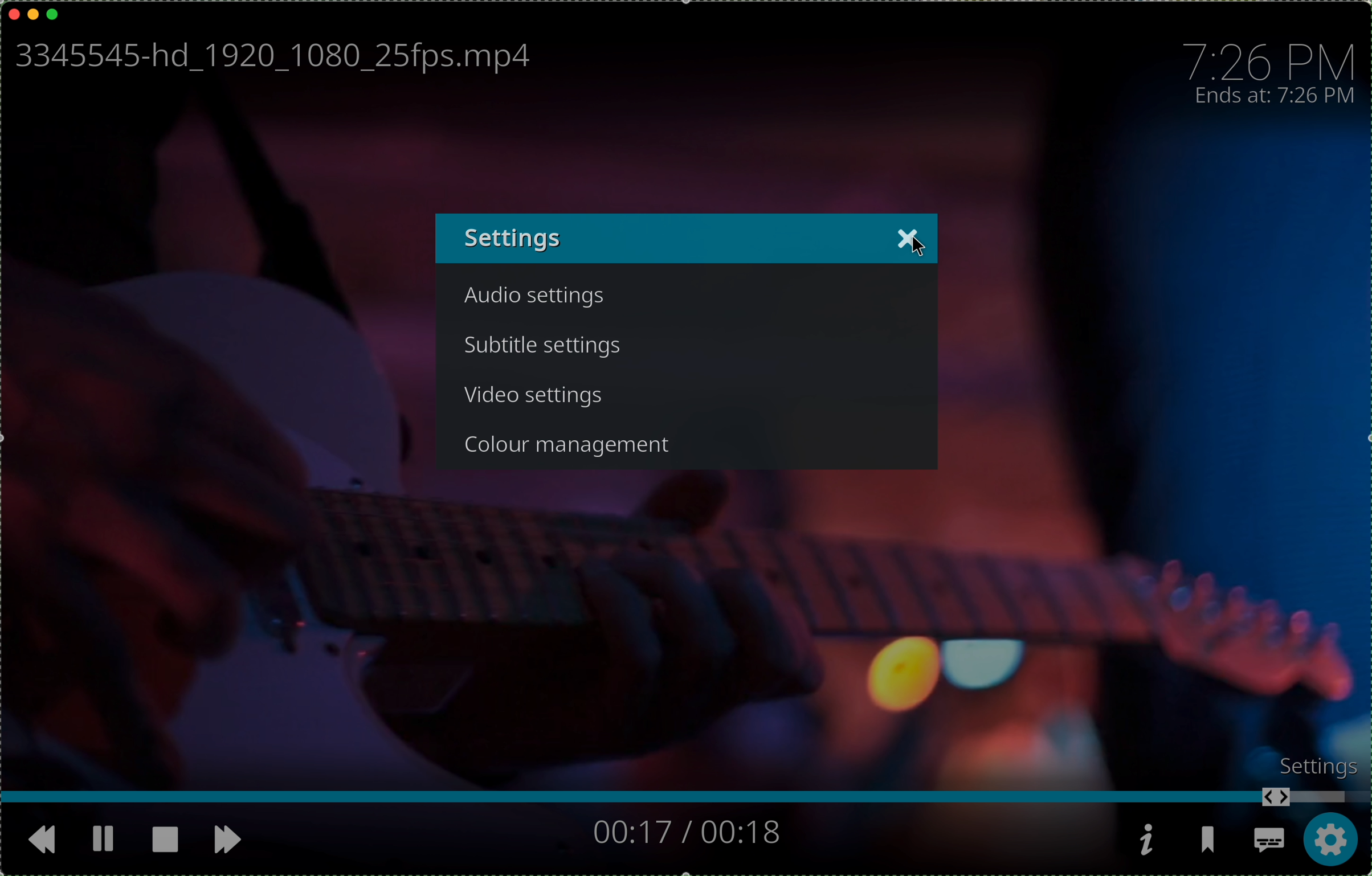 This screenshot has width=1372, height=876. What do you see at coordinates (686, 799) in the screenshot?
I see `timeline` at bounding box center [686, 799].